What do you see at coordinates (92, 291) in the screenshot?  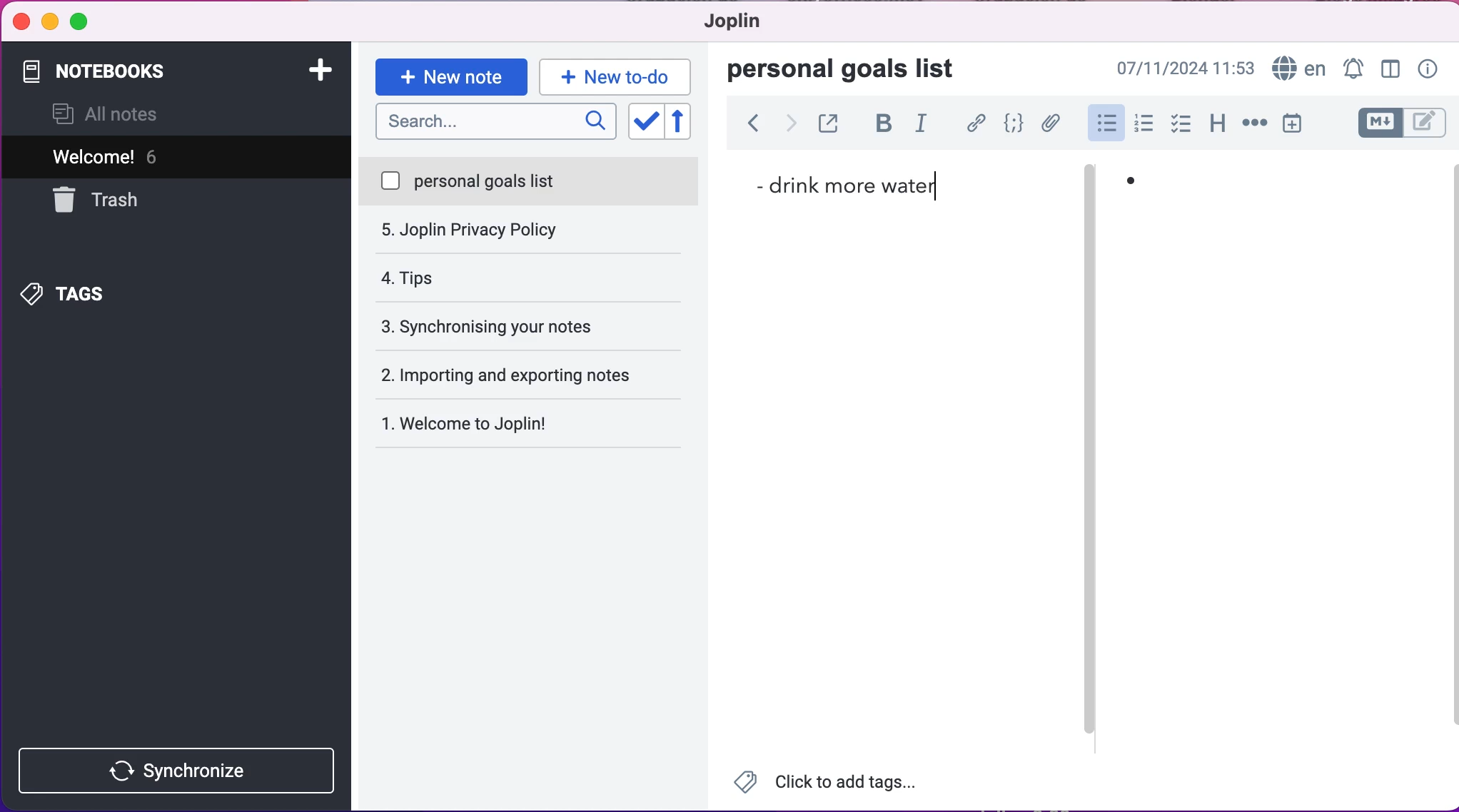 I see `tags` at bounding box center [92, 291].